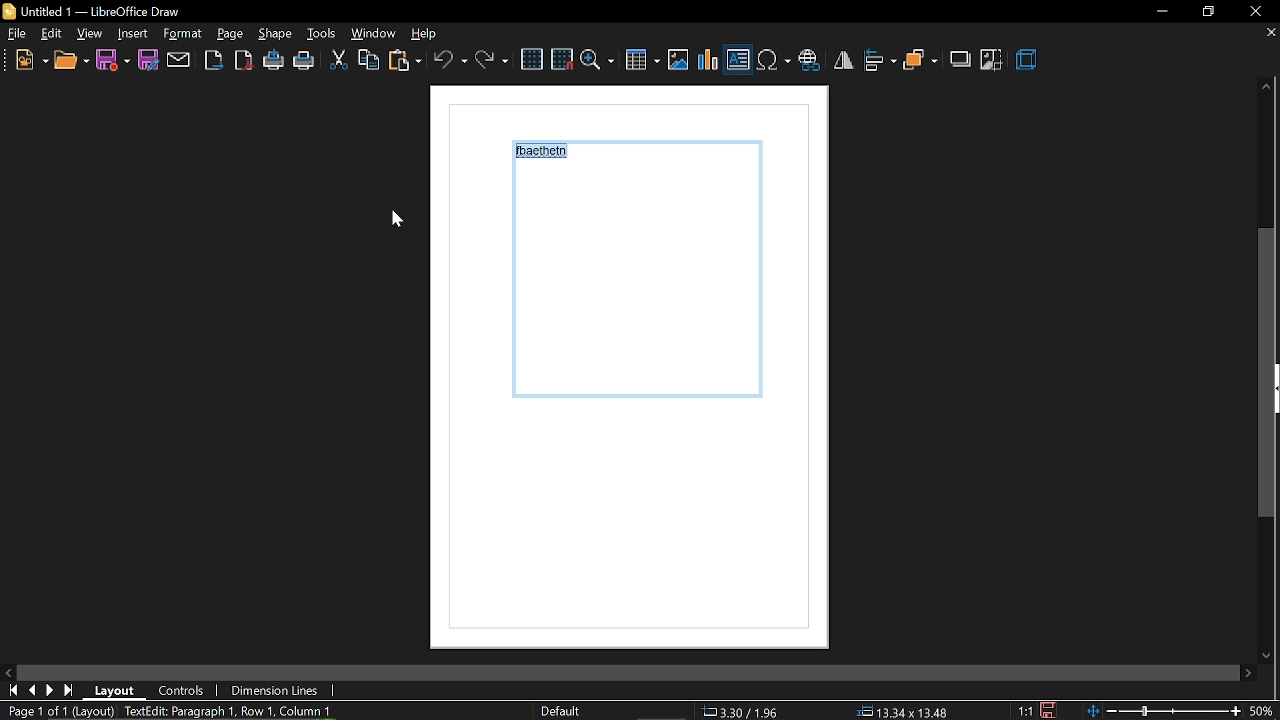 The height and width of the screenshot is (720, 1280). What do you see at coordinates (178, 61) in the screenshot?
I see `attach` at bounding box center [178, 61].